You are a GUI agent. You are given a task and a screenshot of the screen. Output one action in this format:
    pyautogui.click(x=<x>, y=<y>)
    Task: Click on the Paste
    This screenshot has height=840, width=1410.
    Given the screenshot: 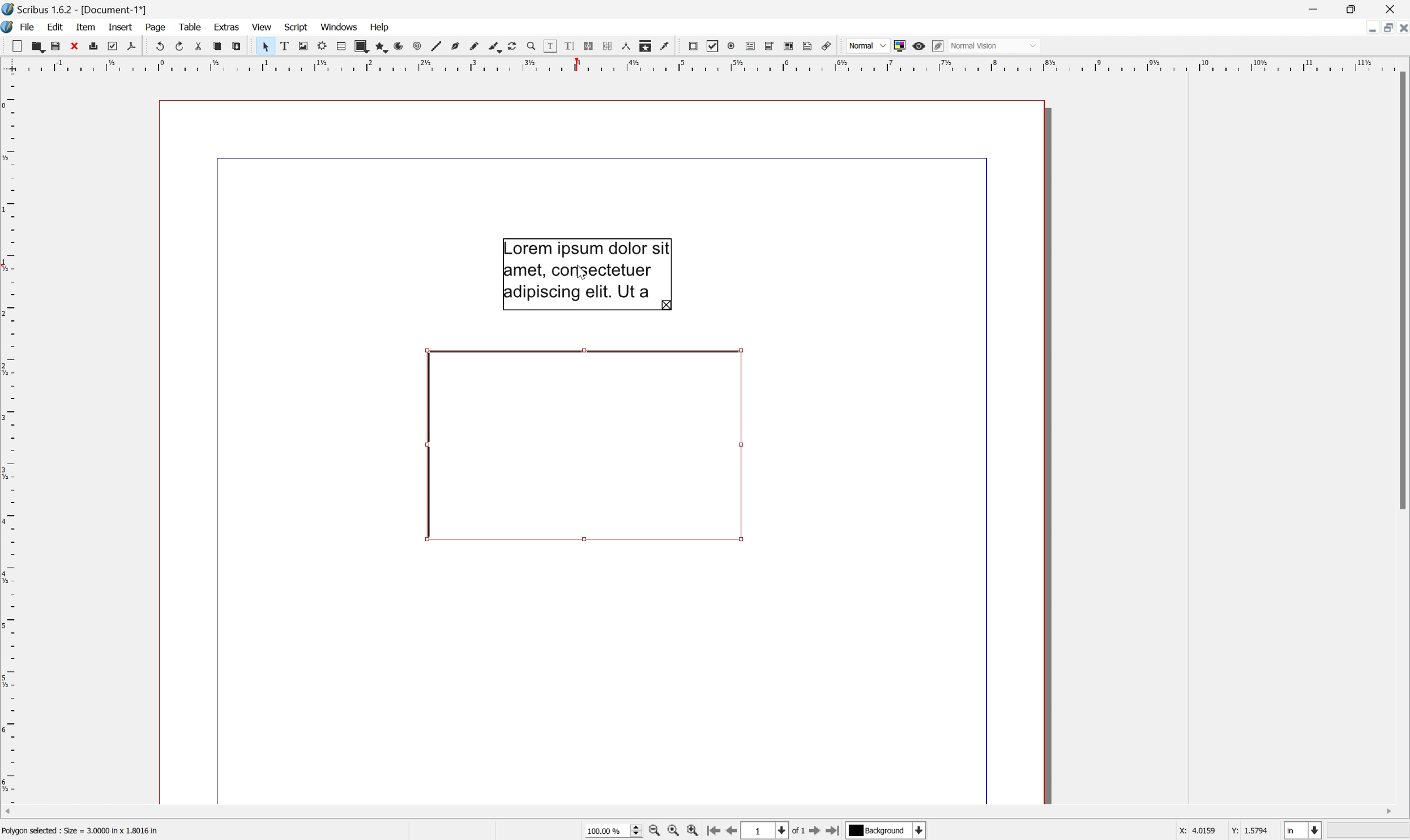 What is the action you would take?
    pyautogui.click(x=237, y=46)
    